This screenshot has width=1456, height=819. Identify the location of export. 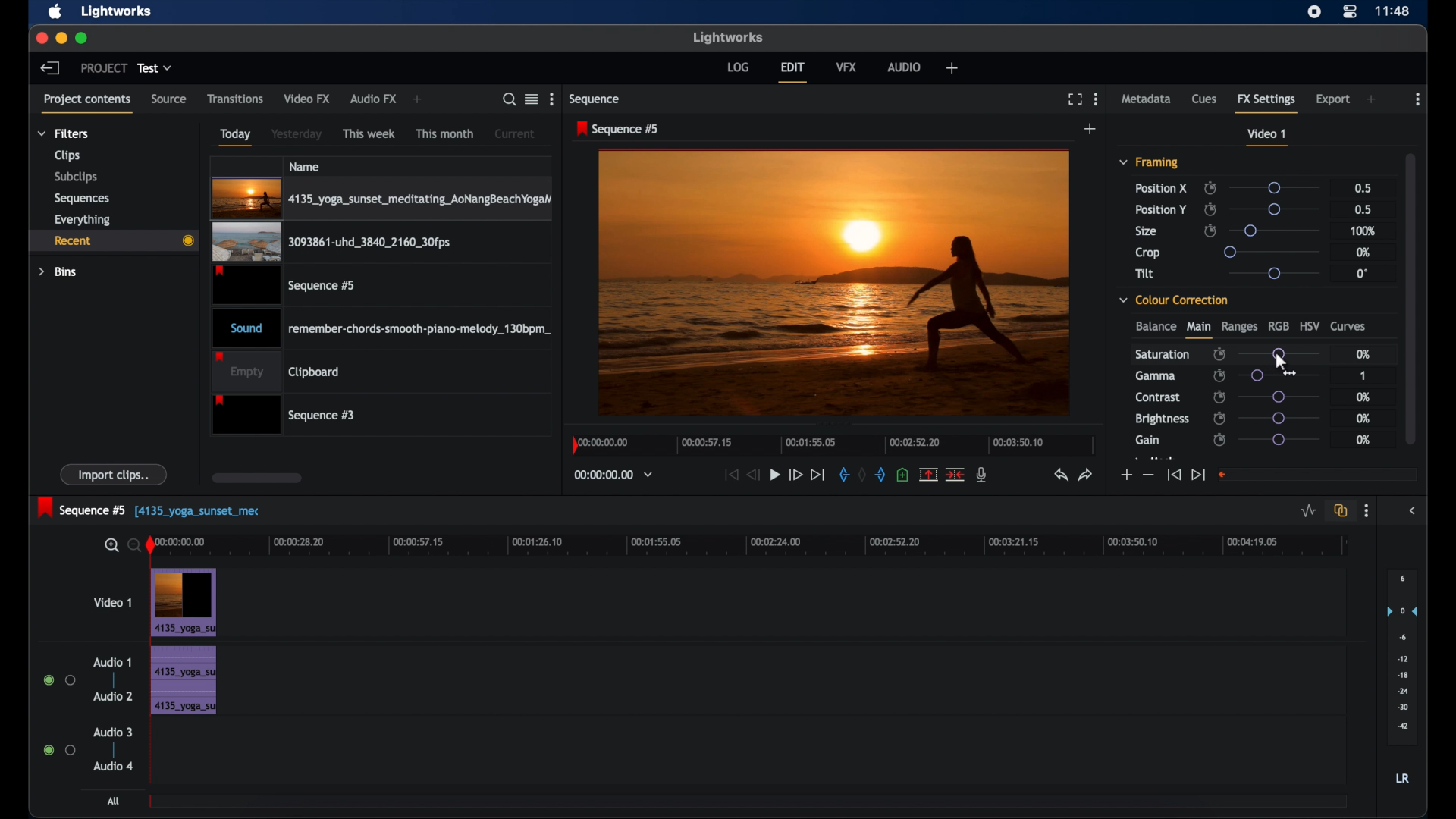
(1333, 99).